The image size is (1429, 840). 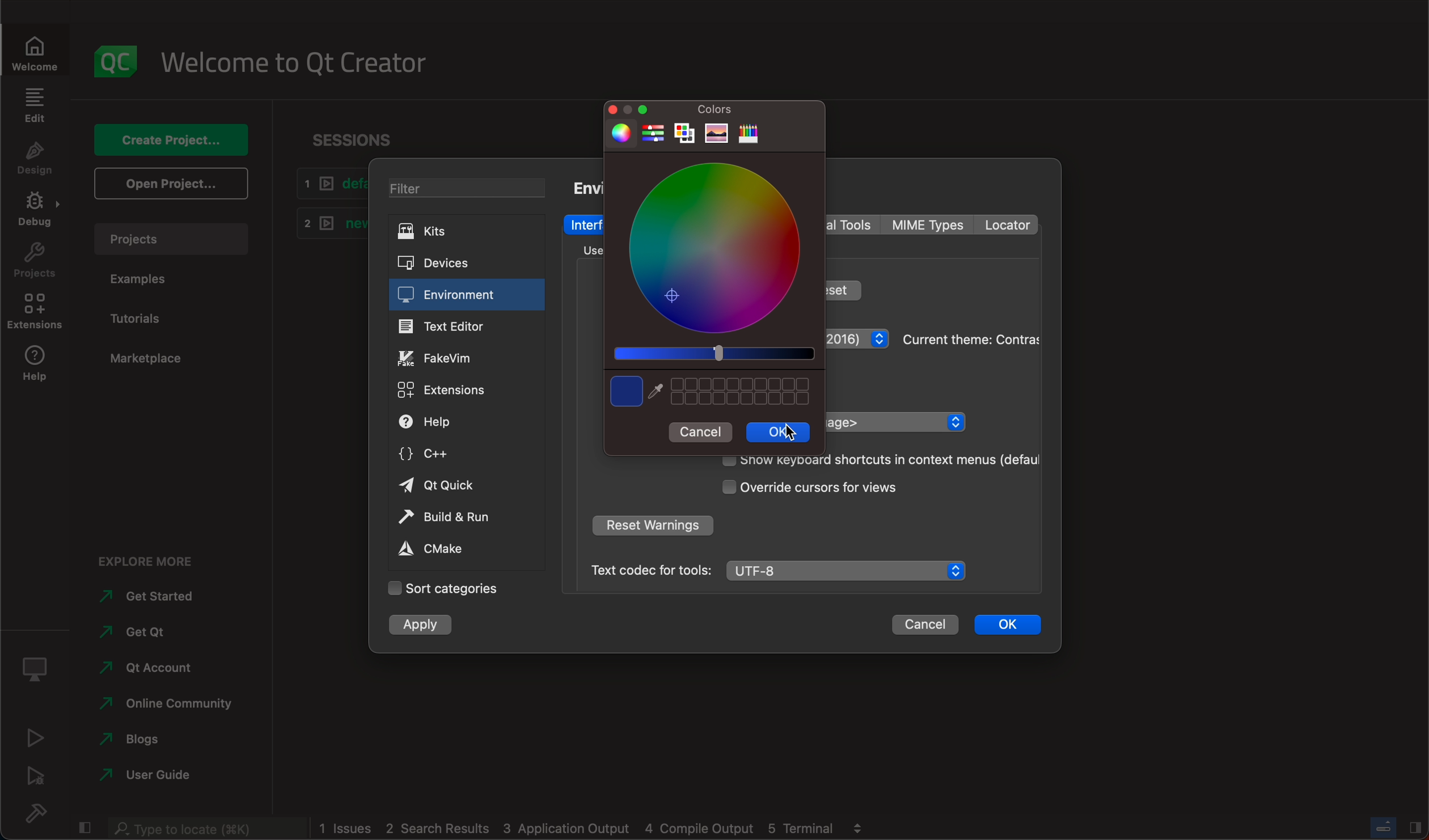 What do you see at coordinates (352, 134) in the screenshot?
I see `sessions` at bounding box center [352, 134].